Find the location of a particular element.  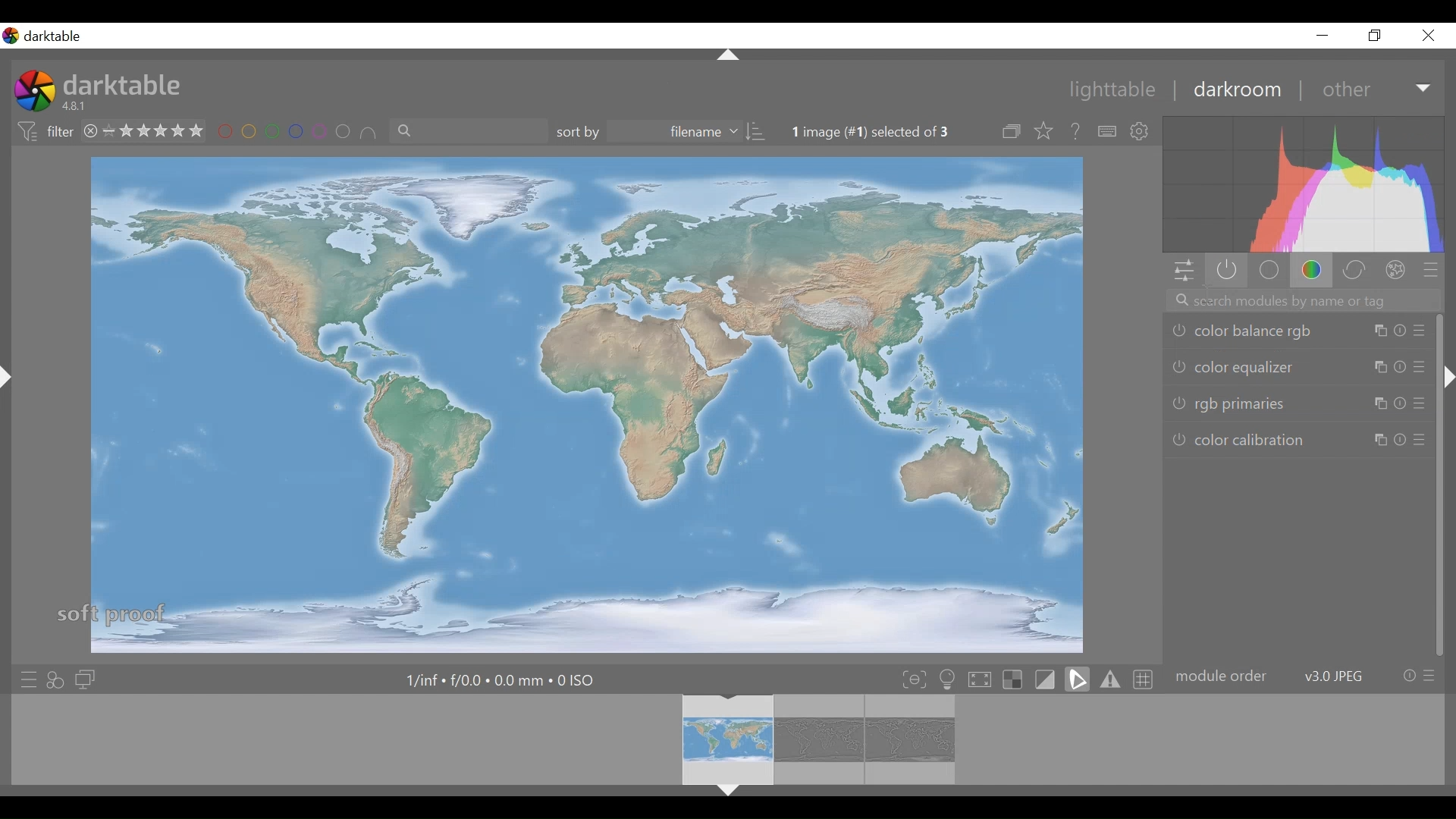

toggle high quality processing is located at coordinates (981, 680).